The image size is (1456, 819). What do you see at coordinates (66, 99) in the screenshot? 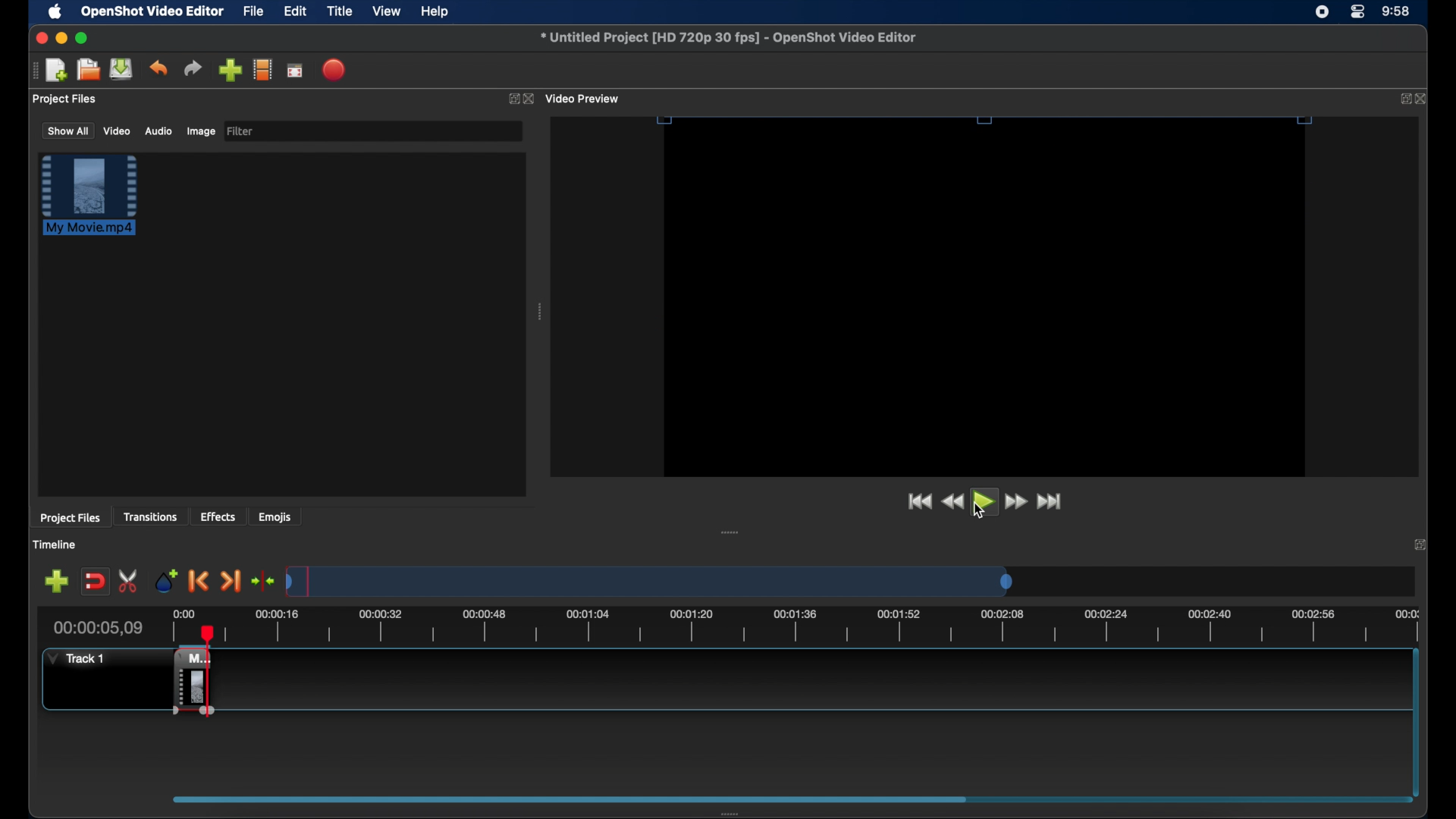
I see `project files` at bounding box center [66, 99].